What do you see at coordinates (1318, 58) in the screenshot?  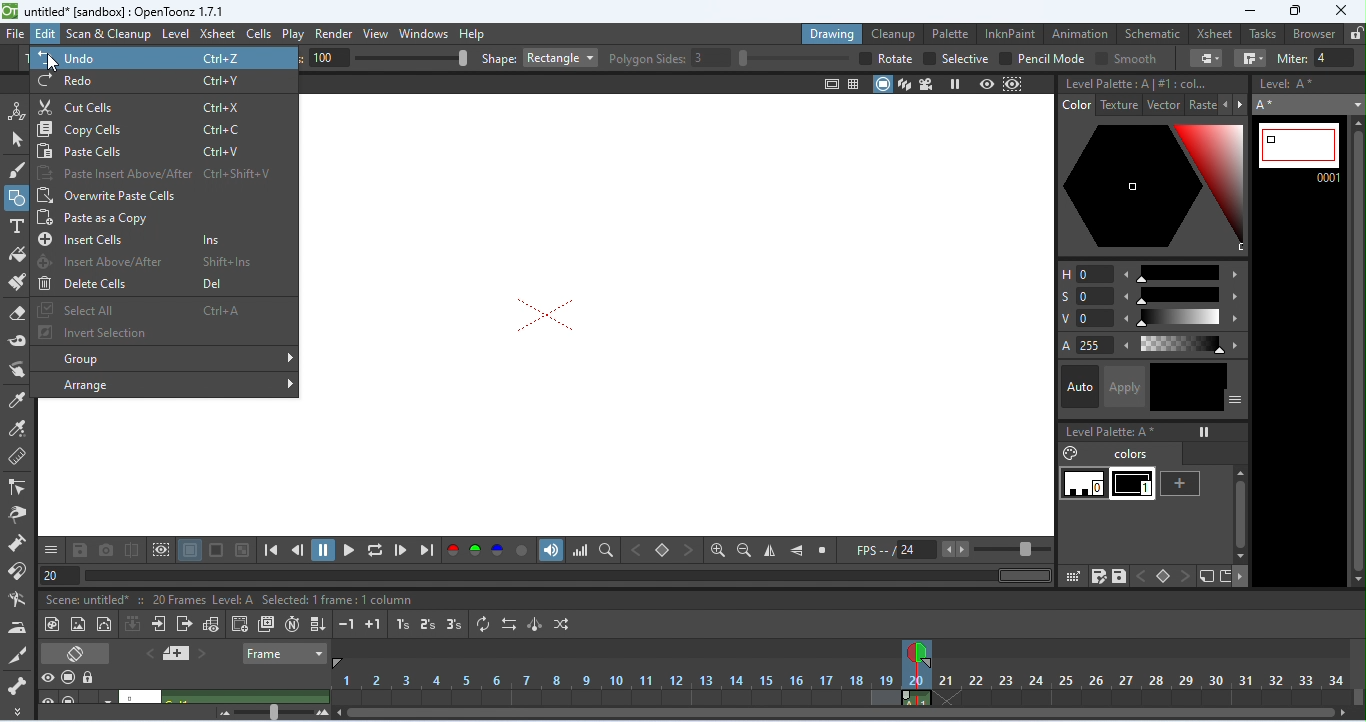 I see `miter` at bounding box center [1318, 58].